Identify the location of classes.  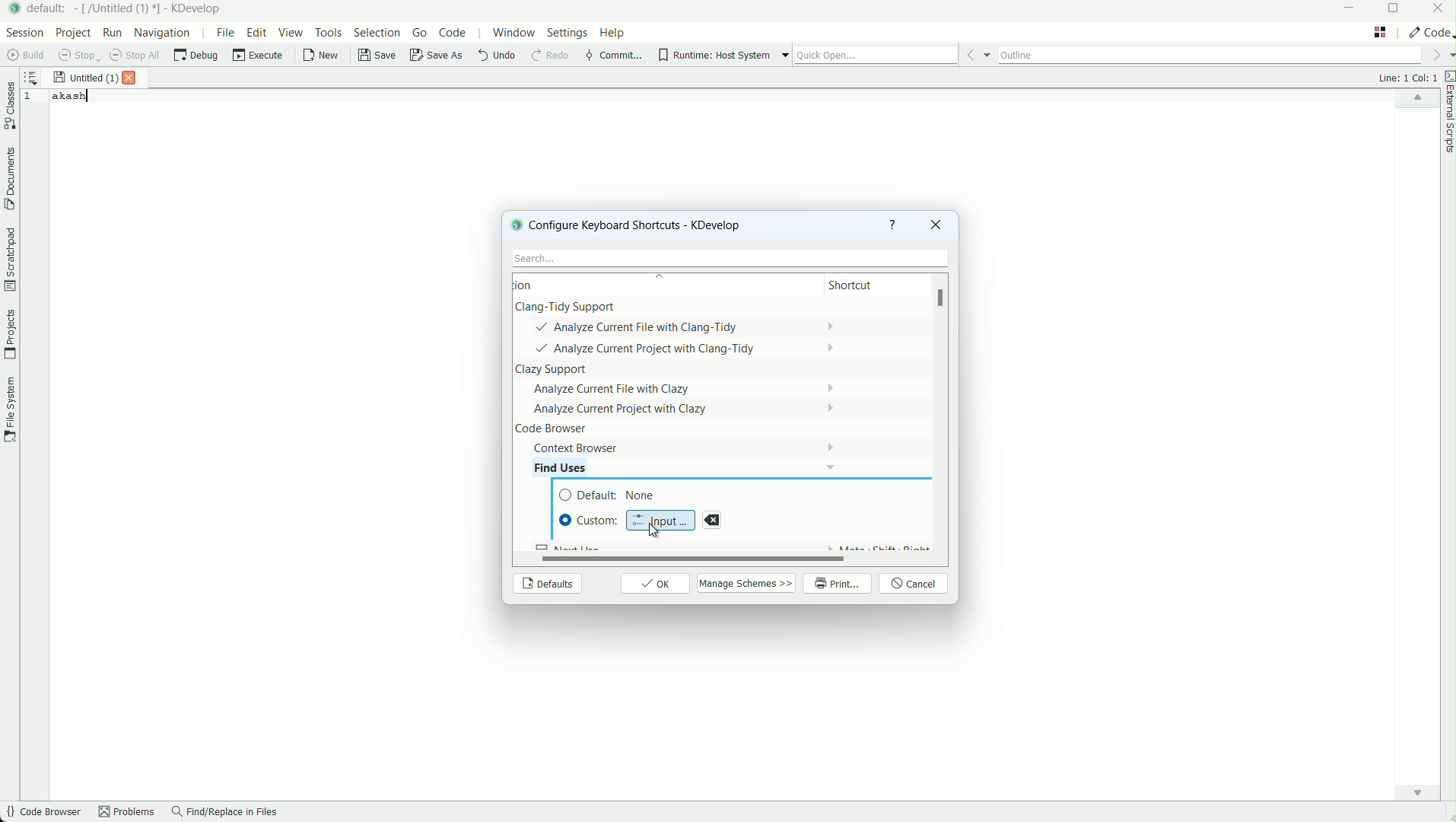
(10, 107).